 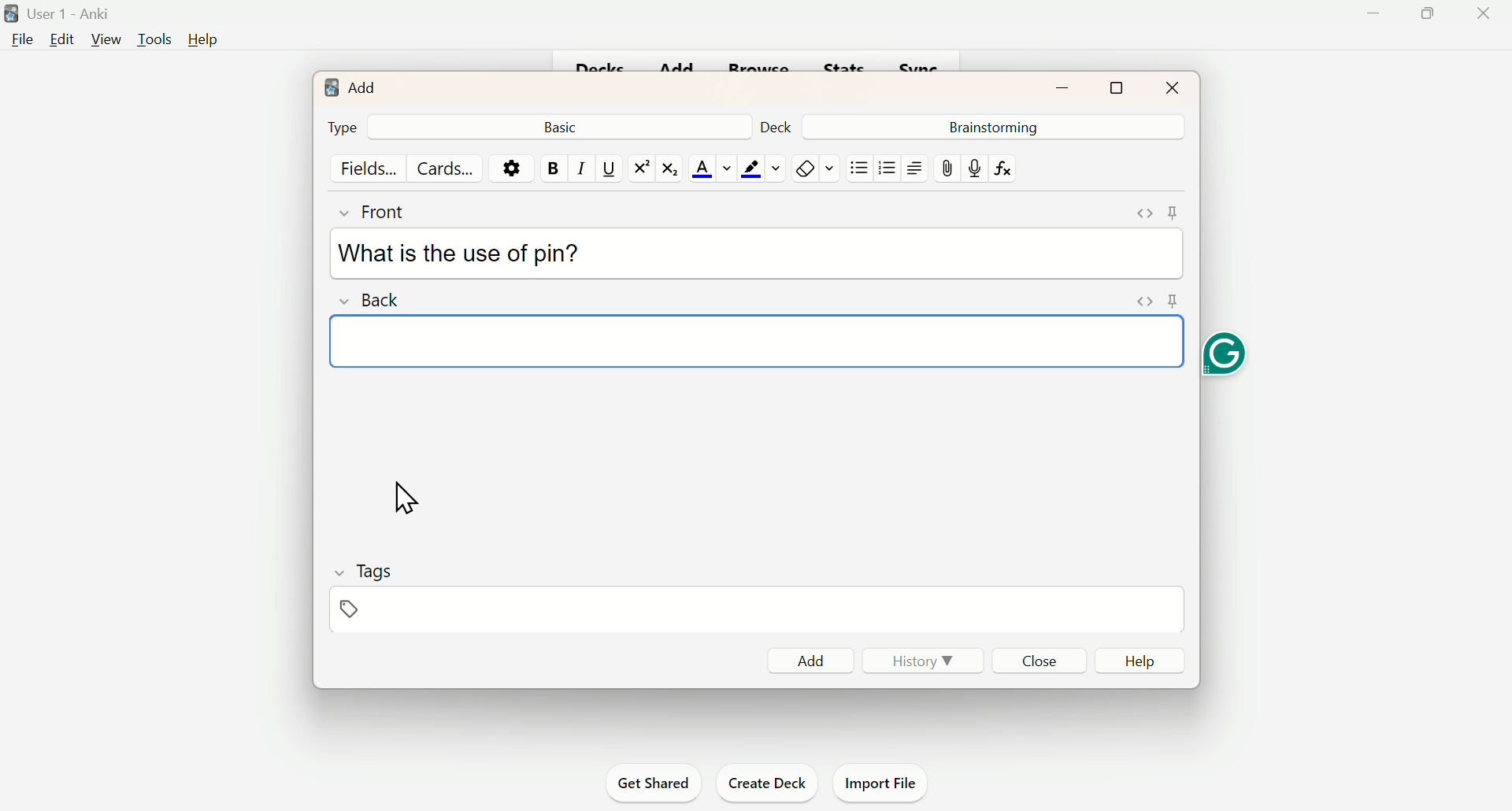 What do you see at coordinates (860, 167) in the screenshot?
I see `Unorganised list` at bounding box center [860, 167].